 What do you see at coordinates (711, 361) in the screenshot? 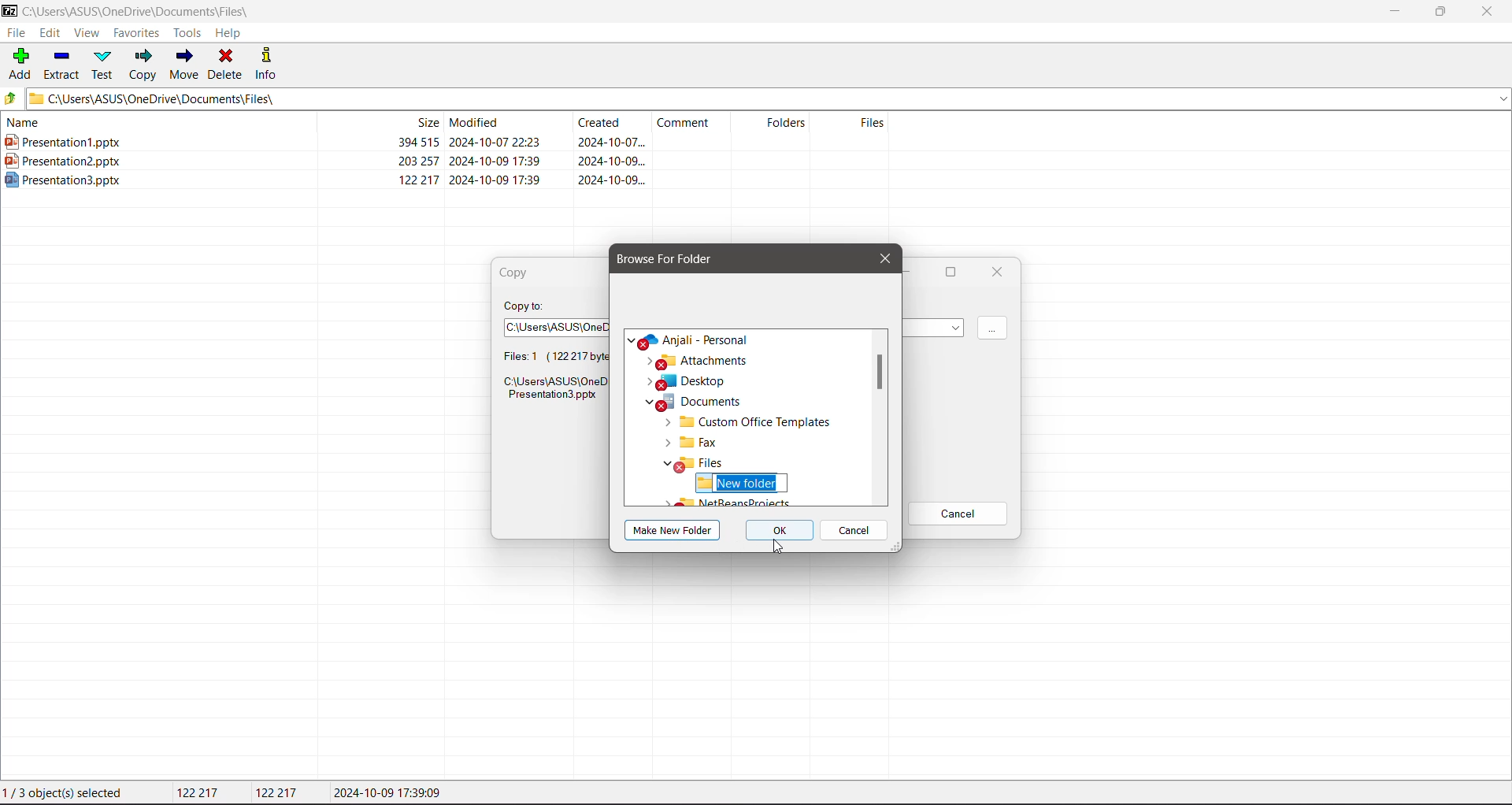
I see `Anjali - Personal` at bounding box center [711, 361].